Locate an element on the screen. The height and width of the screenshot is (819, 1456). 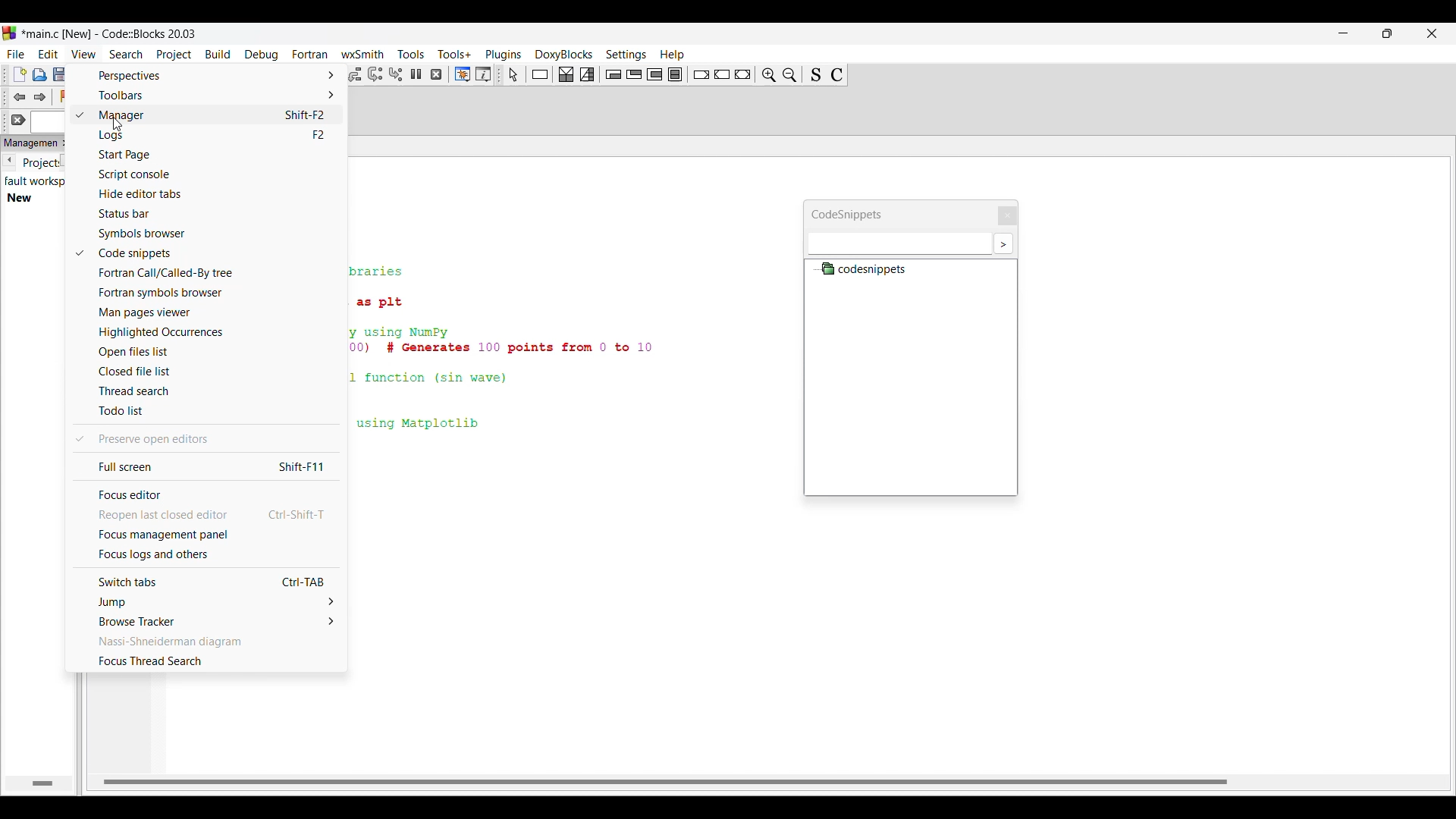
Decision is located at coordinates (566, 74).